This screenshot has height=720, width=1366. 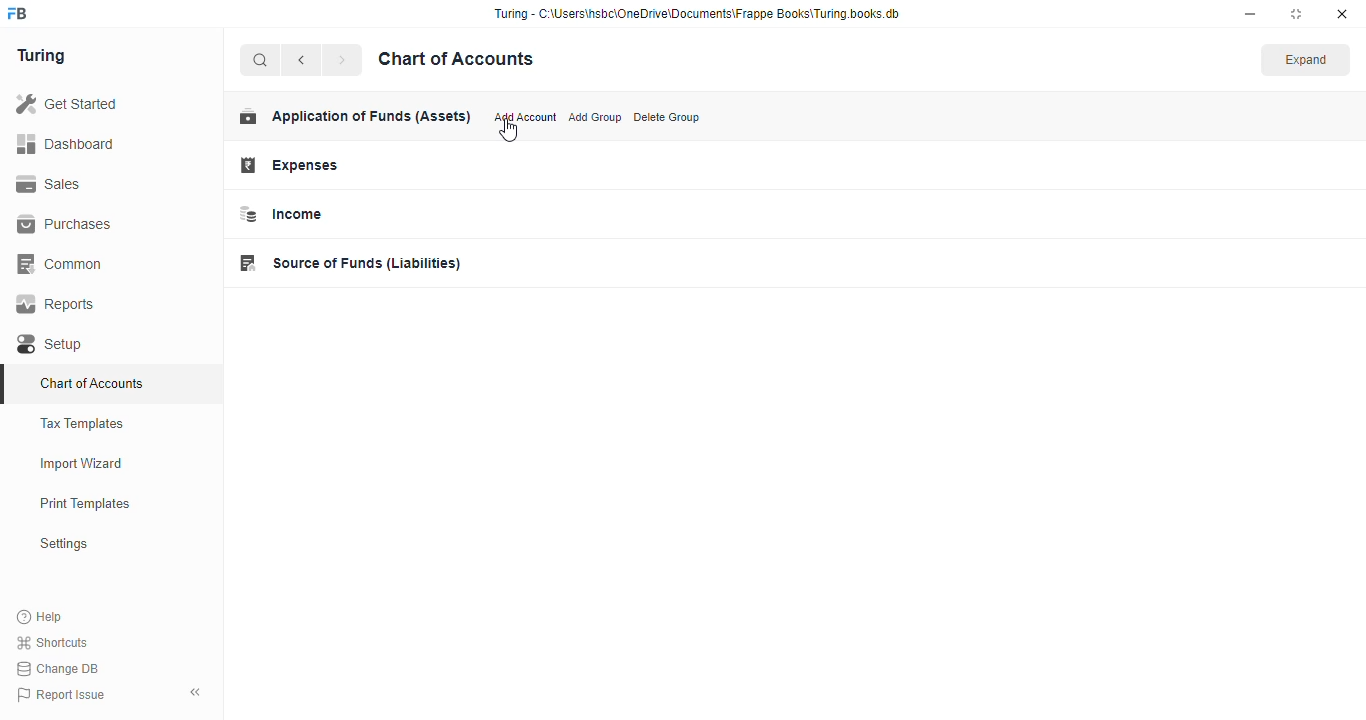 What do you see at coordinates (66, 103) in the screenshot?
I see `get started` at bounding box center [66, 103].